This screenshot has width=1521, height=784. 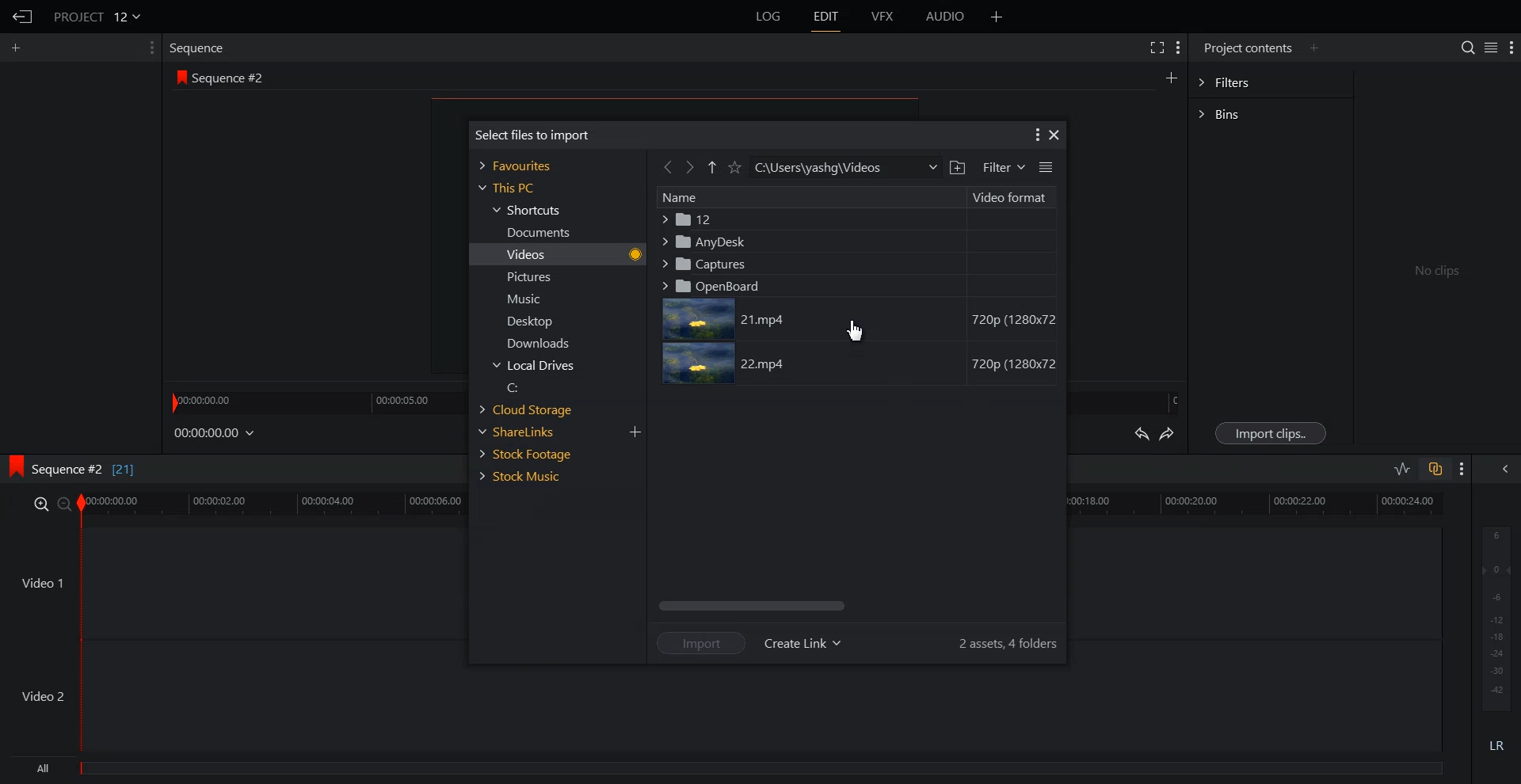 I want to click on Go Back, so click(x=667, y=167).